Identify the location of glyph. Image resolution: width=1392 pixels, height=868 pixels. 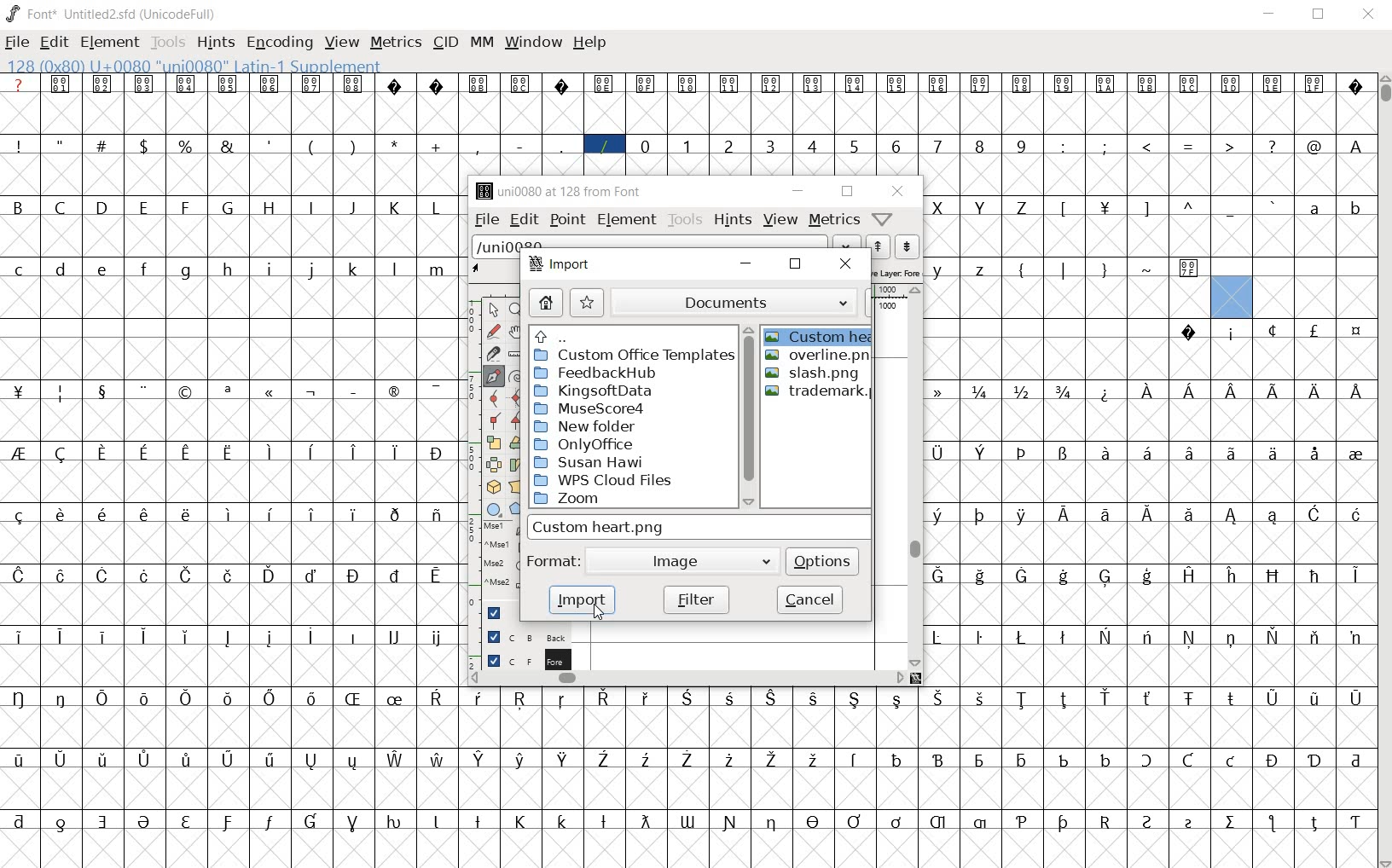
(1355, 639).